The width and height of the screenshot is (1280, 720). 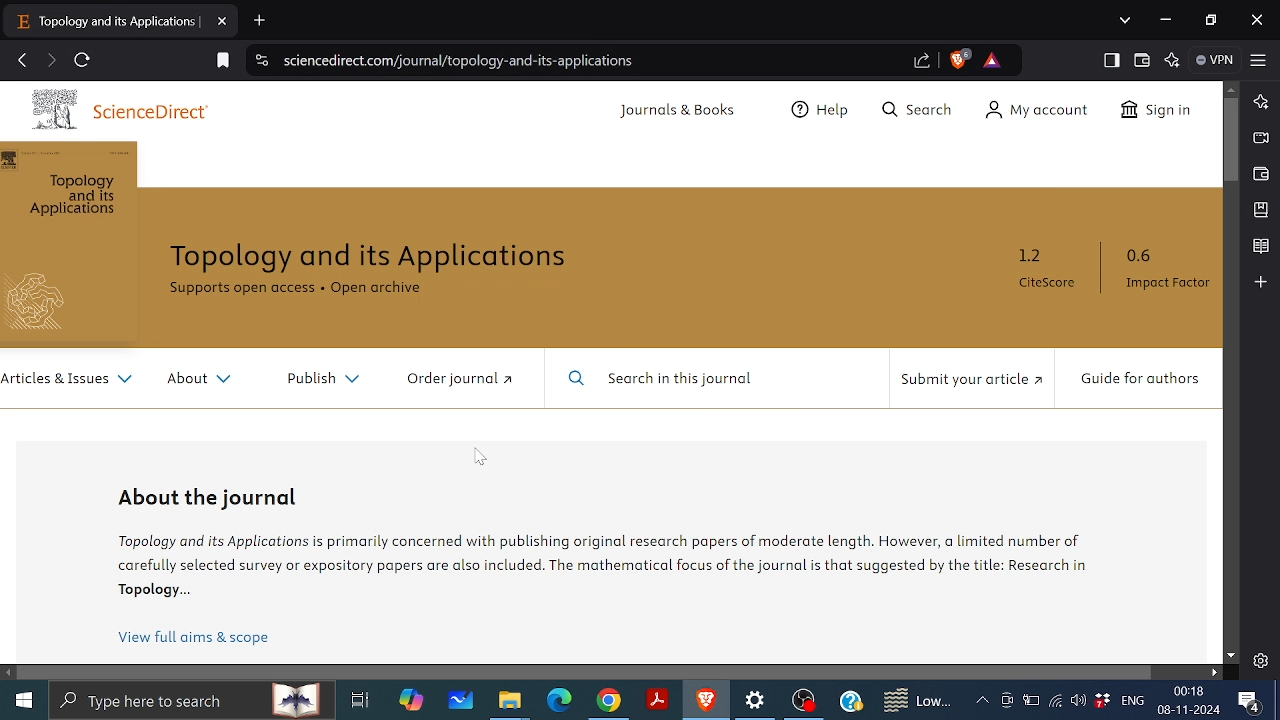 What do you see at coordinates (461, 704) in the screenshot?
I see `White board` at bounding box center [461, 704].